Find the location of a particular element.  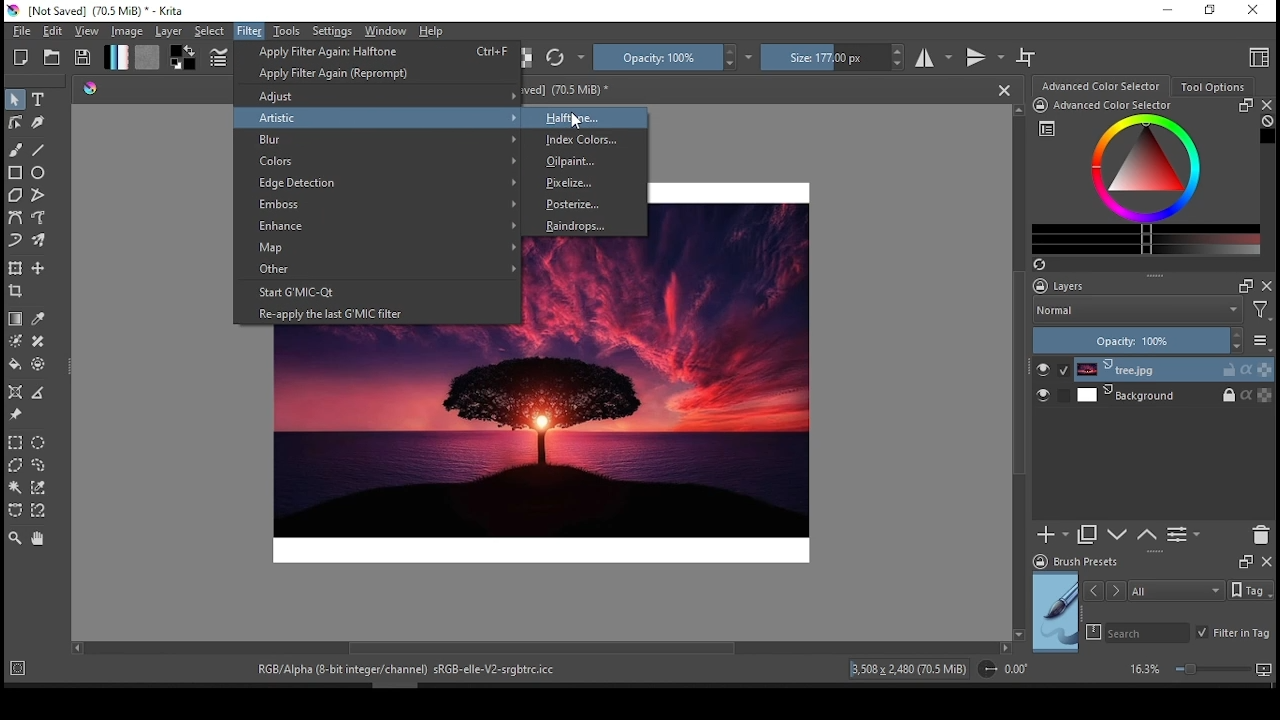

tags is located at coordinates (1153, 590).